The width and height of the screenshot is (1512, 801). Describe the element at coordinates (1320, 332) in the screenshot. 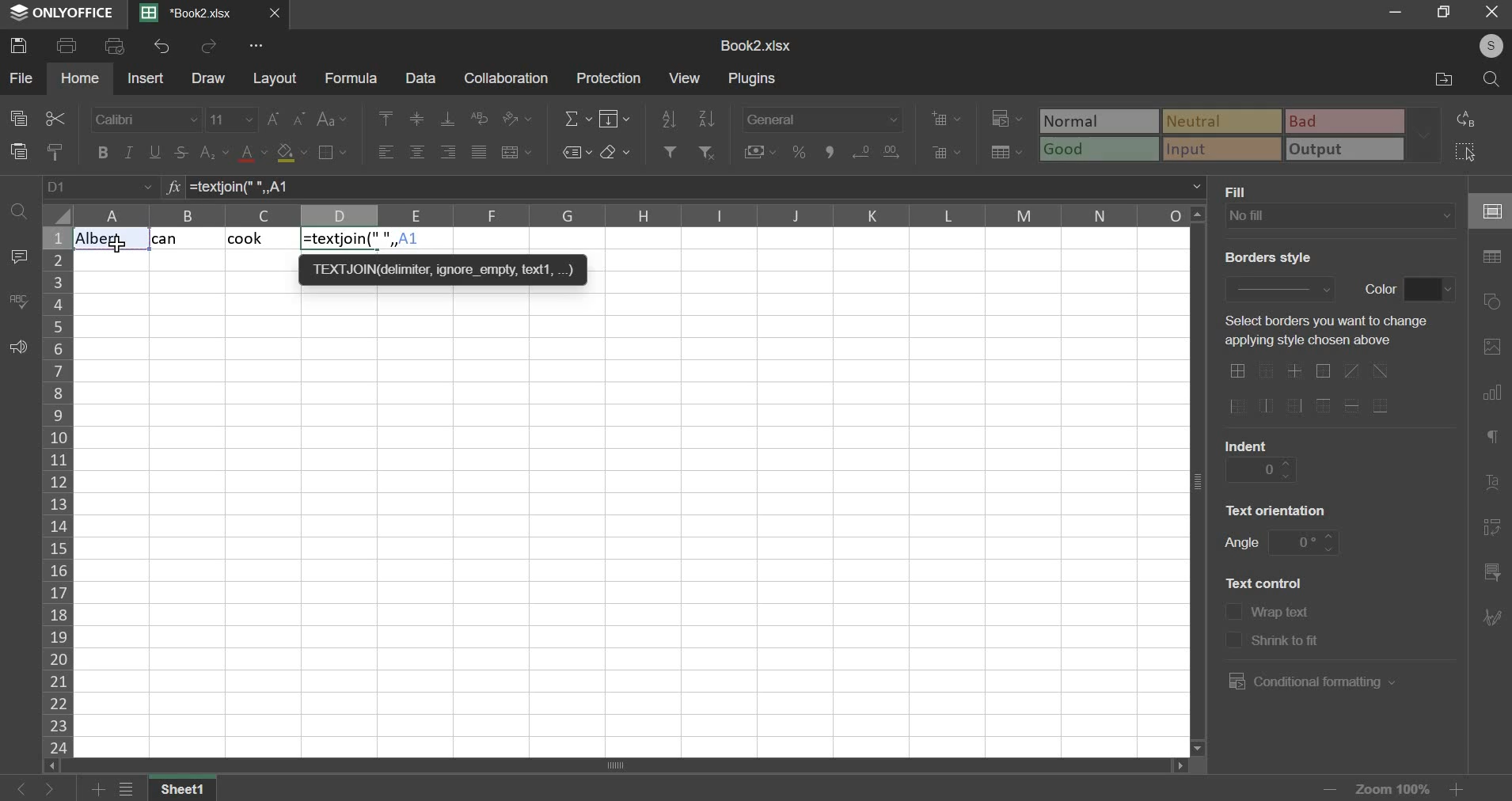

I see `text` at that location.